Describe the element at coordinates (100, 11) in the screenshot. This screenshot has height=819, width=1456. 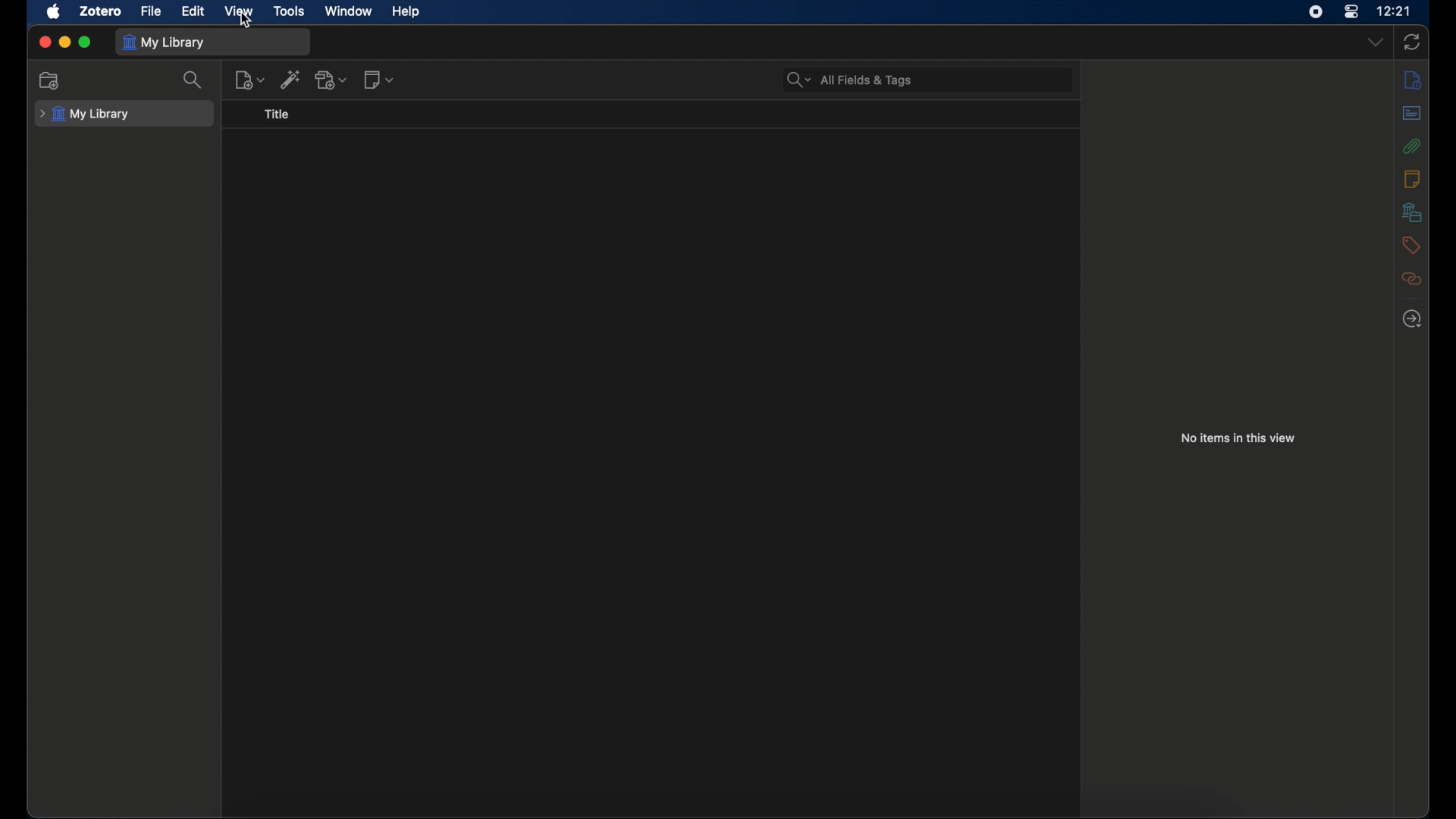
I see `zotero` at that location.